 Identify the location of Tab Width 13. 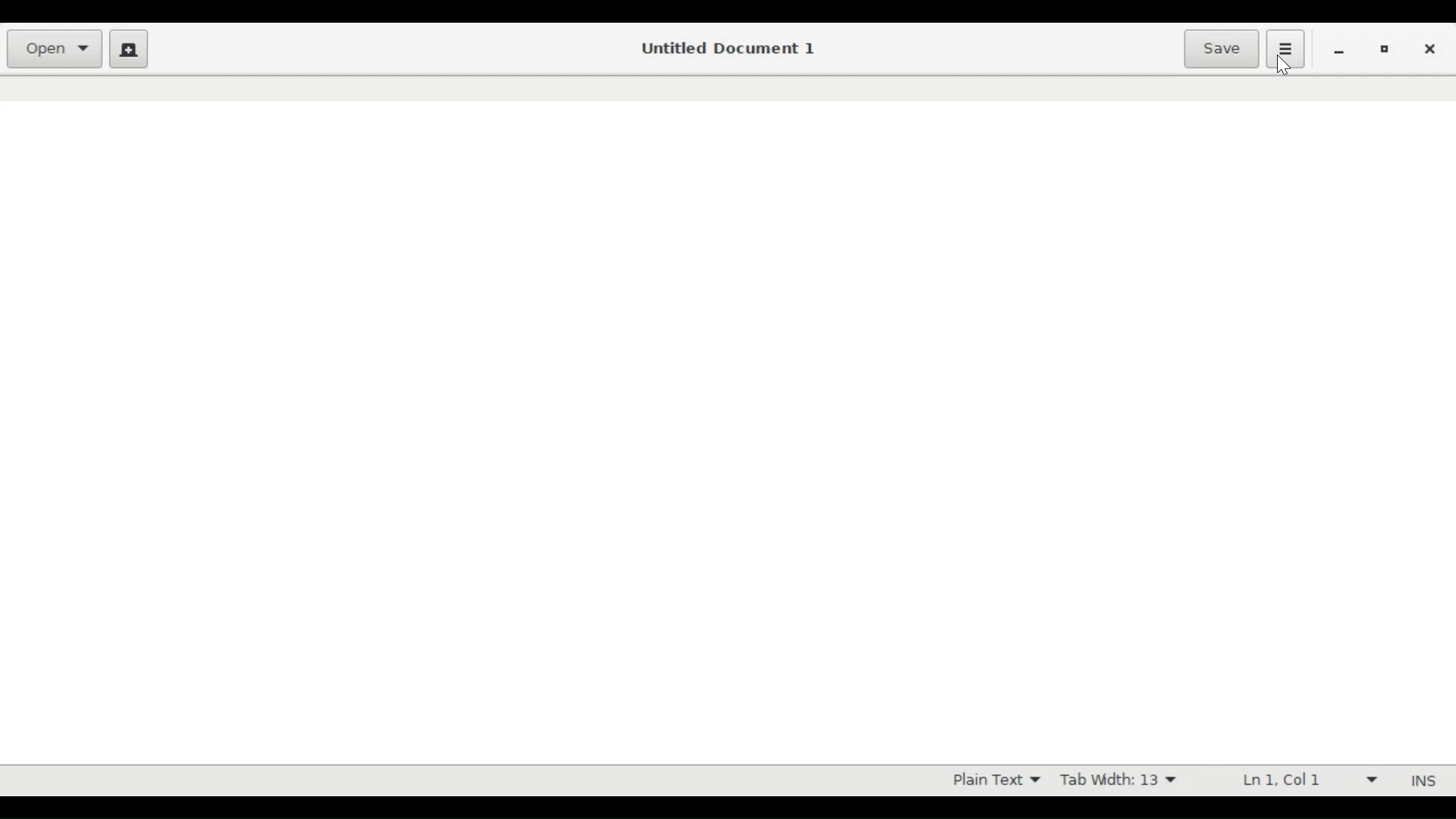
(1125, 779).